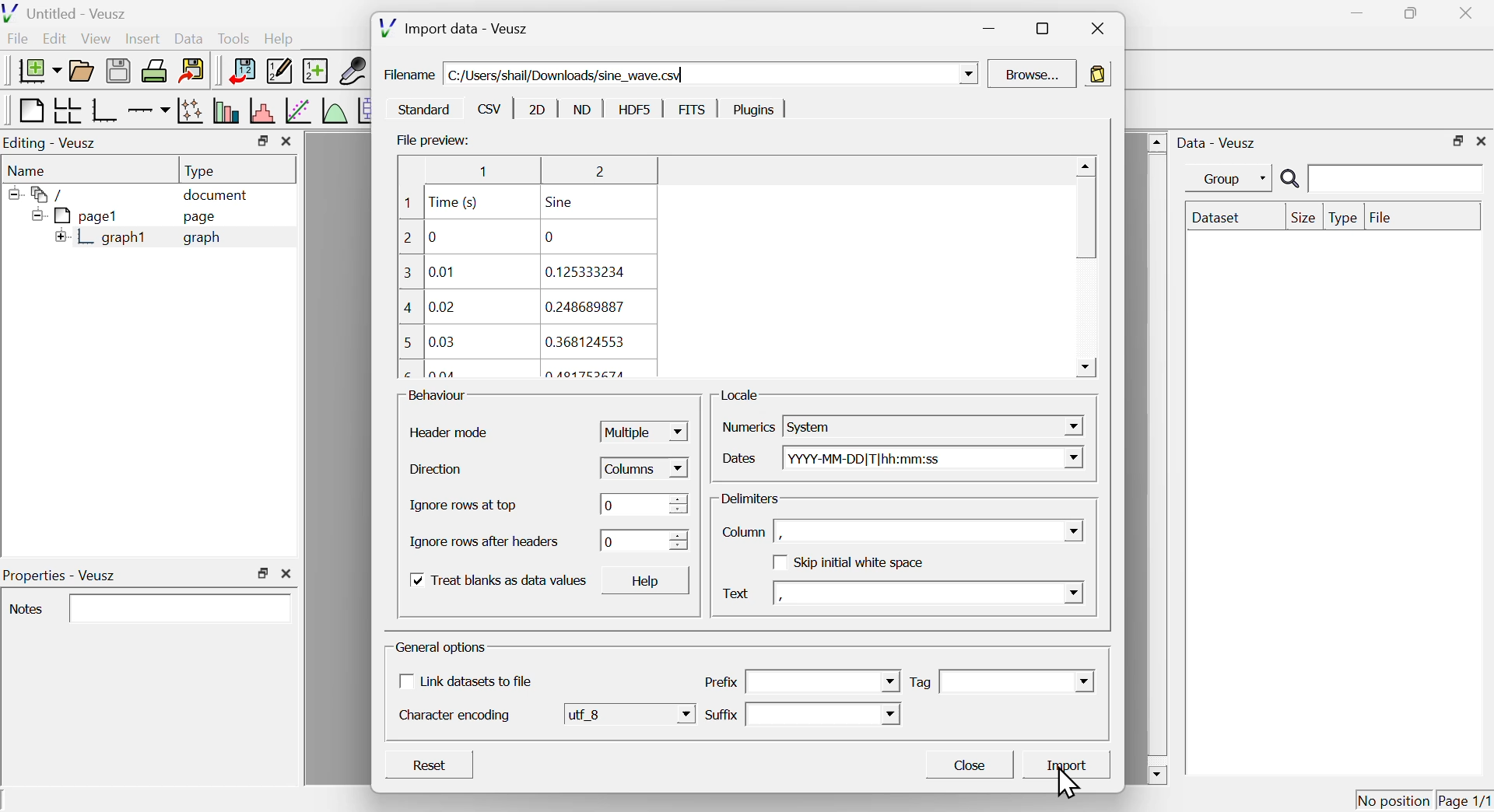  What do you see at coordinates (1482, 141) in the screenshot?
I see `close` at bounding box center [1482, 141].